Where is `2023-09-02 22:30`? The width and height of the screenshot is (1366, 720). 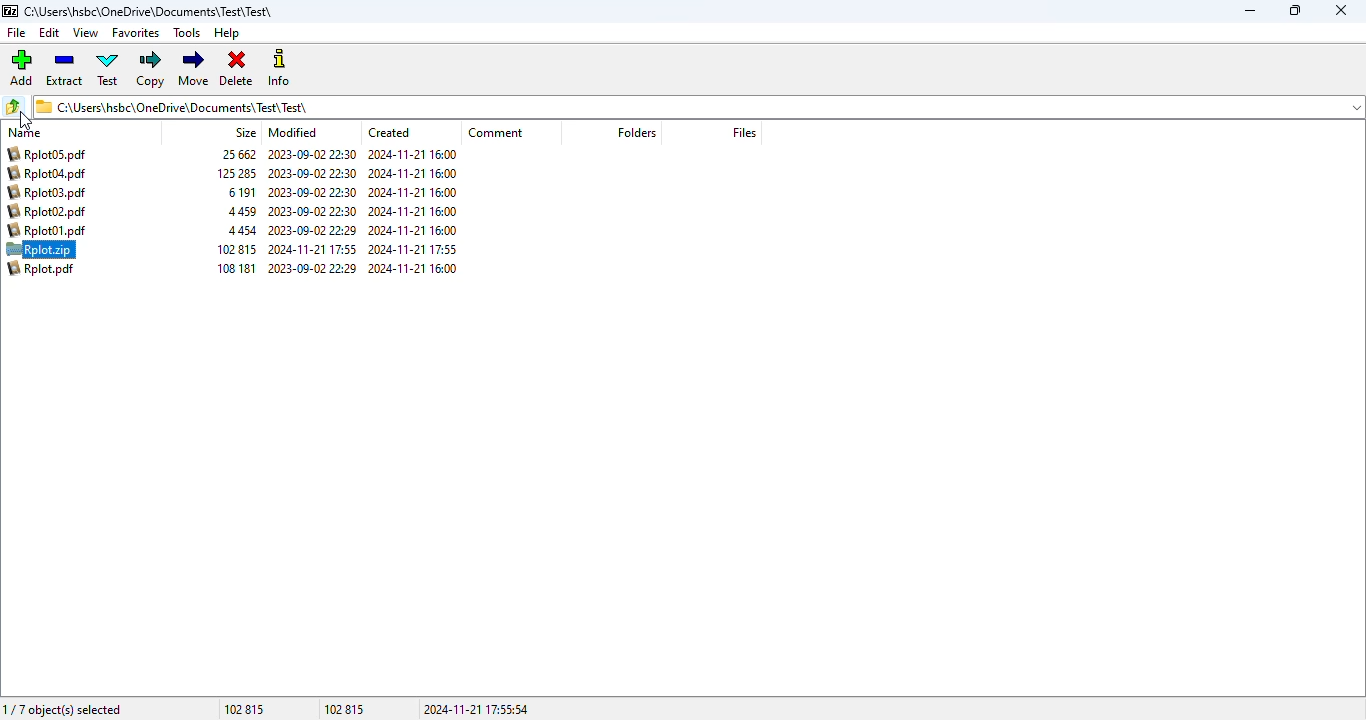
2023-09-02 22:30 is located at coordinates (311, 193).